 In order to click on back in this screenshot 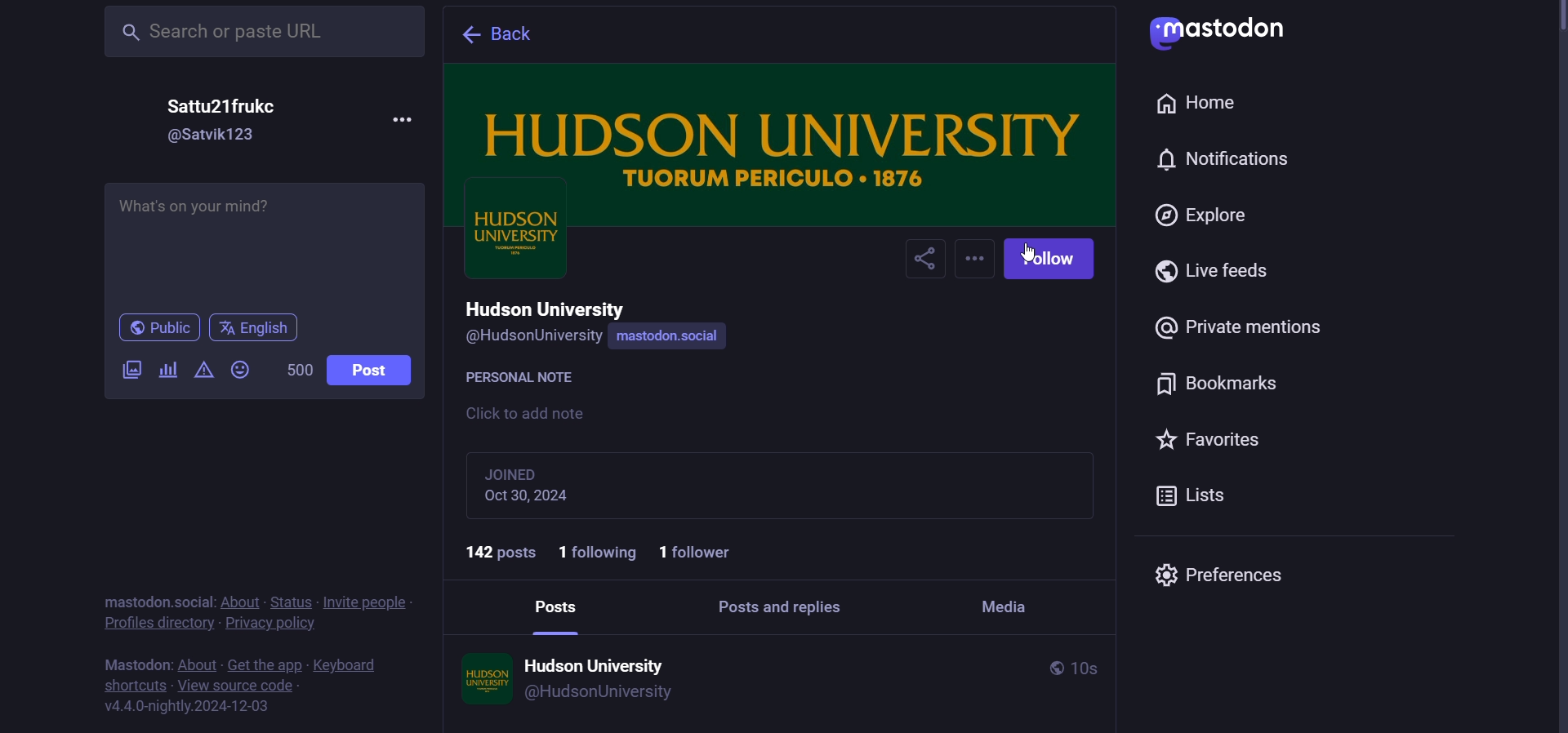, I will do `click(505, 36)`.